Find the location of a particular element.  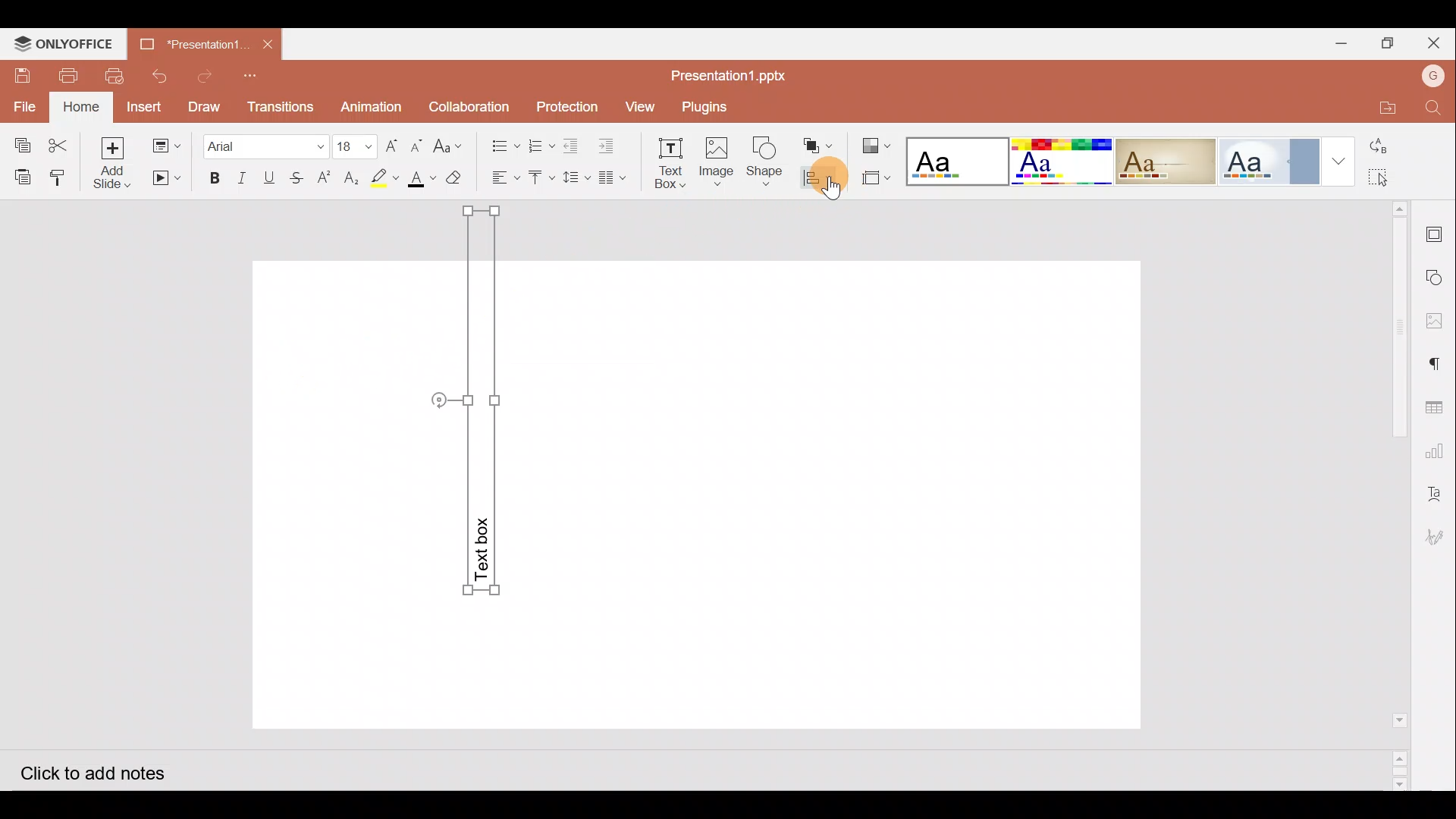

Account name is located at coordinates (1432, 74).